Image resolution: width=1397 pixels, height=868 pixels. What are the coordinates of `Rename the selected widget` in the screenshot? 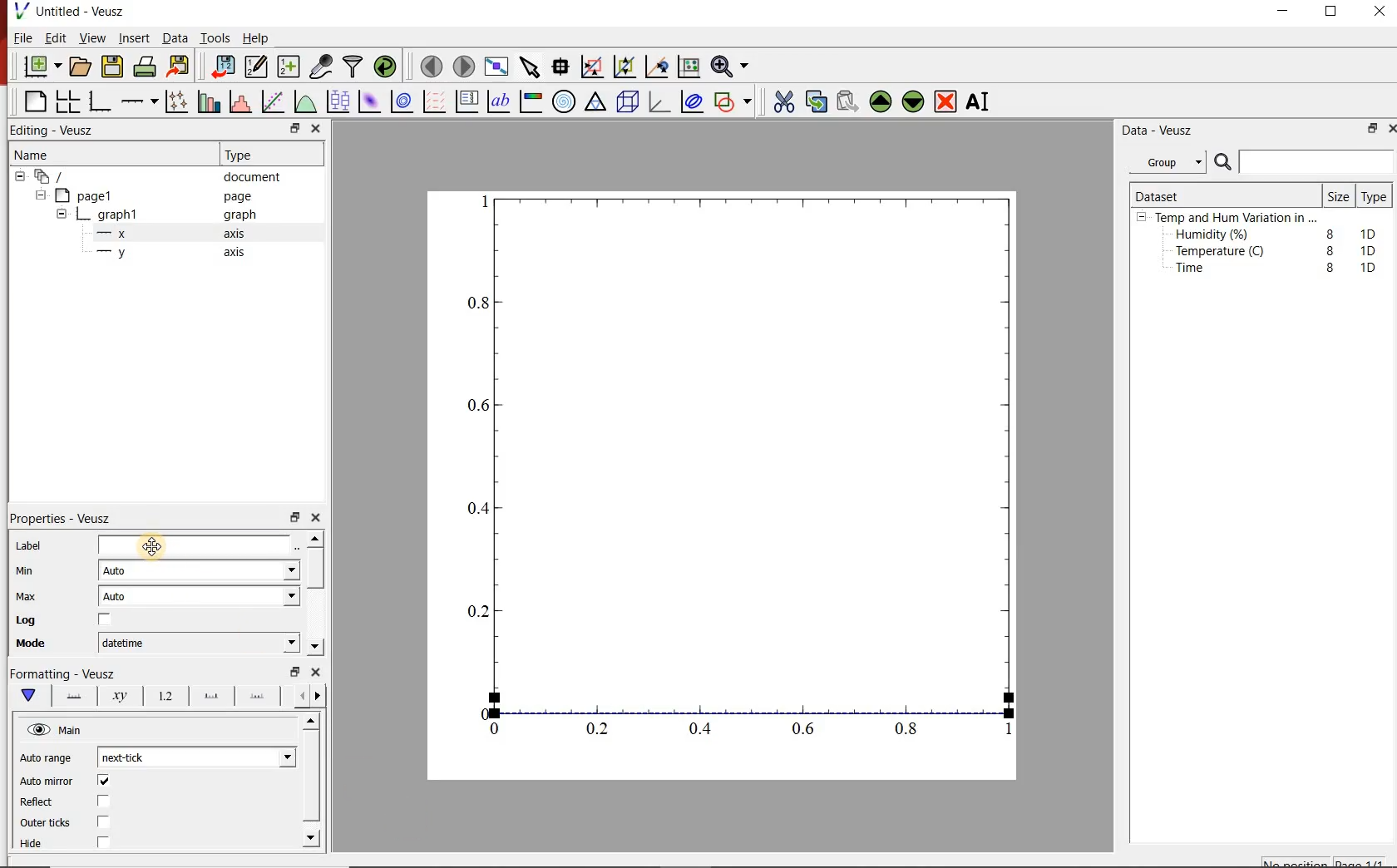 It's located at (981, 101).